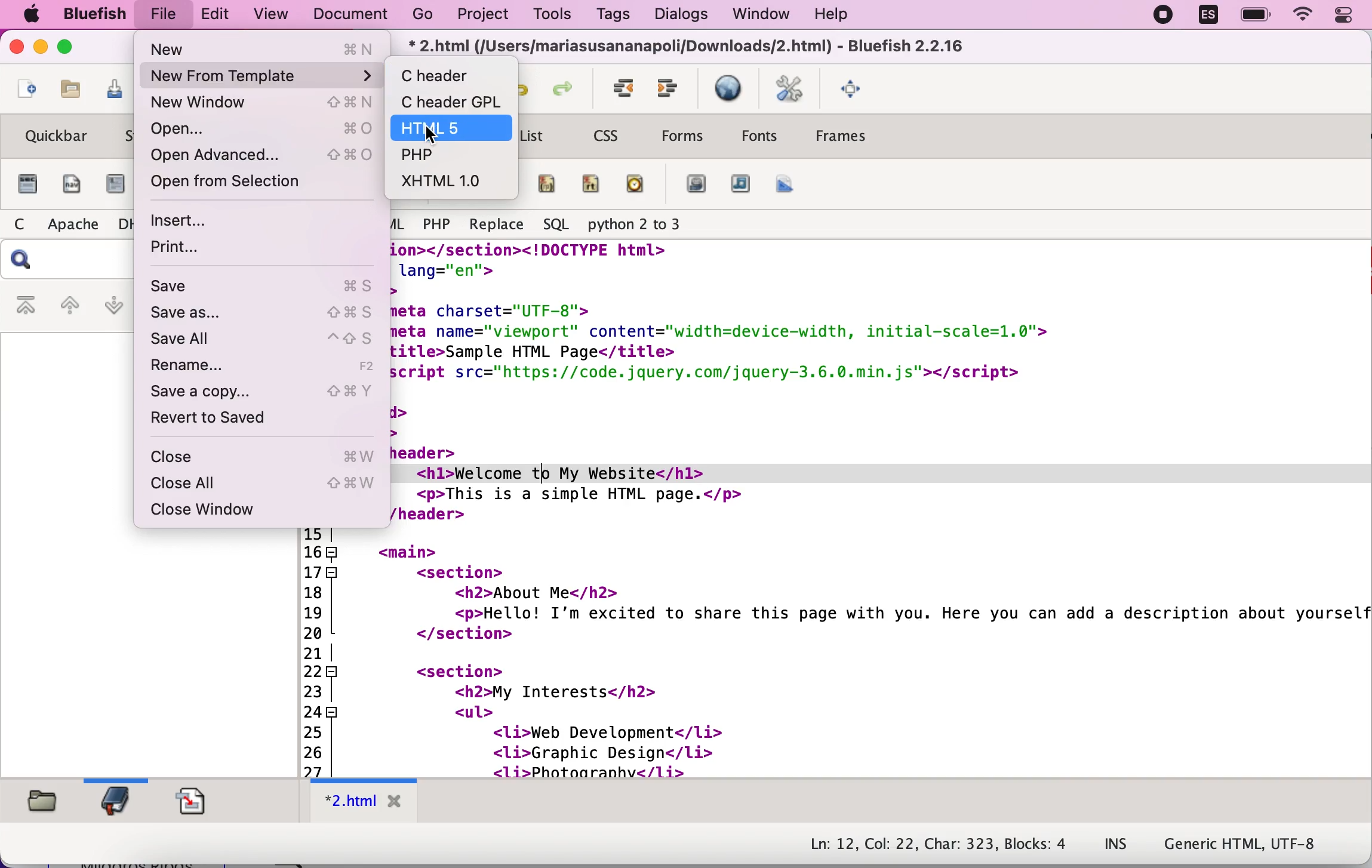 This screenshot has width=1372, height=868. What do you see at coordinates (272, 458) in the screenshot?
I see `close` at bounding box center [272, 458].